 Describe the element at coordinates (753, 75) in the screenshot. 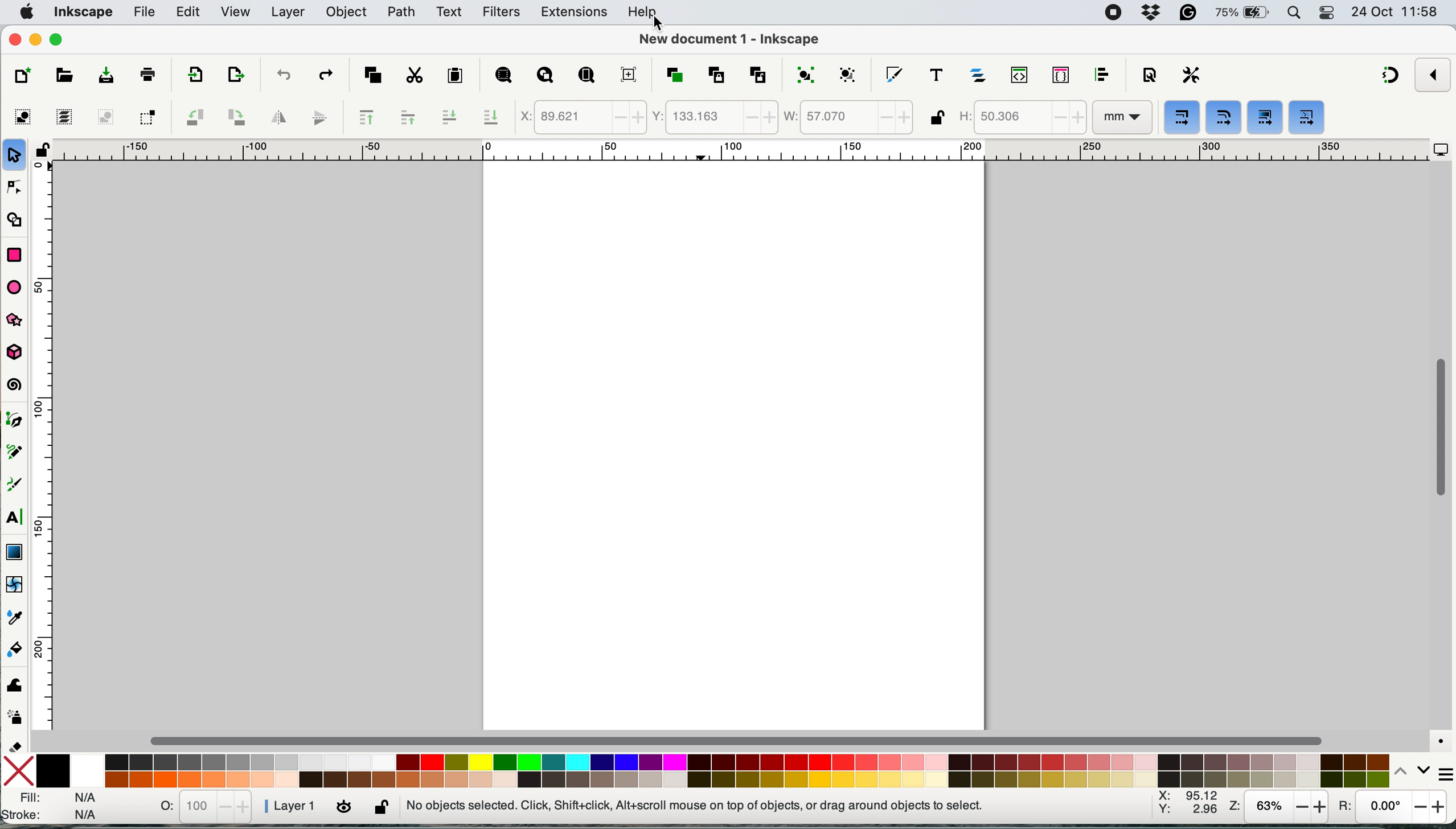

I see `unlink clone` at that location.